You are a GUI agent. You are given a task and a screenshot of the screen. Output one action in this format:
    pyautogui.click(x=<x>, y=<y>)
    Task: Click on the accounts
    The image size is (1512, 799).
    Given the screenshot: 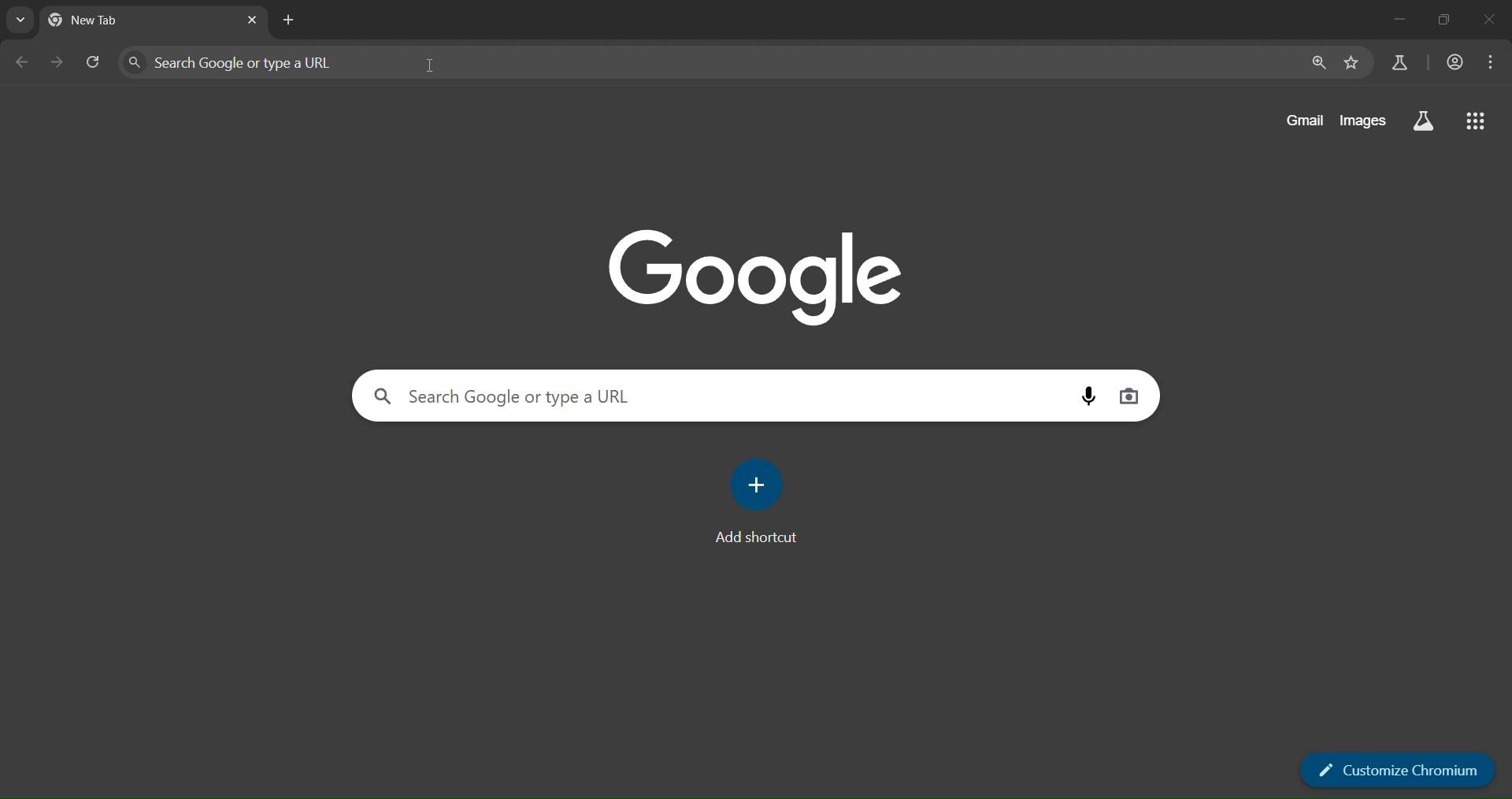 What is the action you would take?
    pyautogui.click(x=1451, y=62)
    